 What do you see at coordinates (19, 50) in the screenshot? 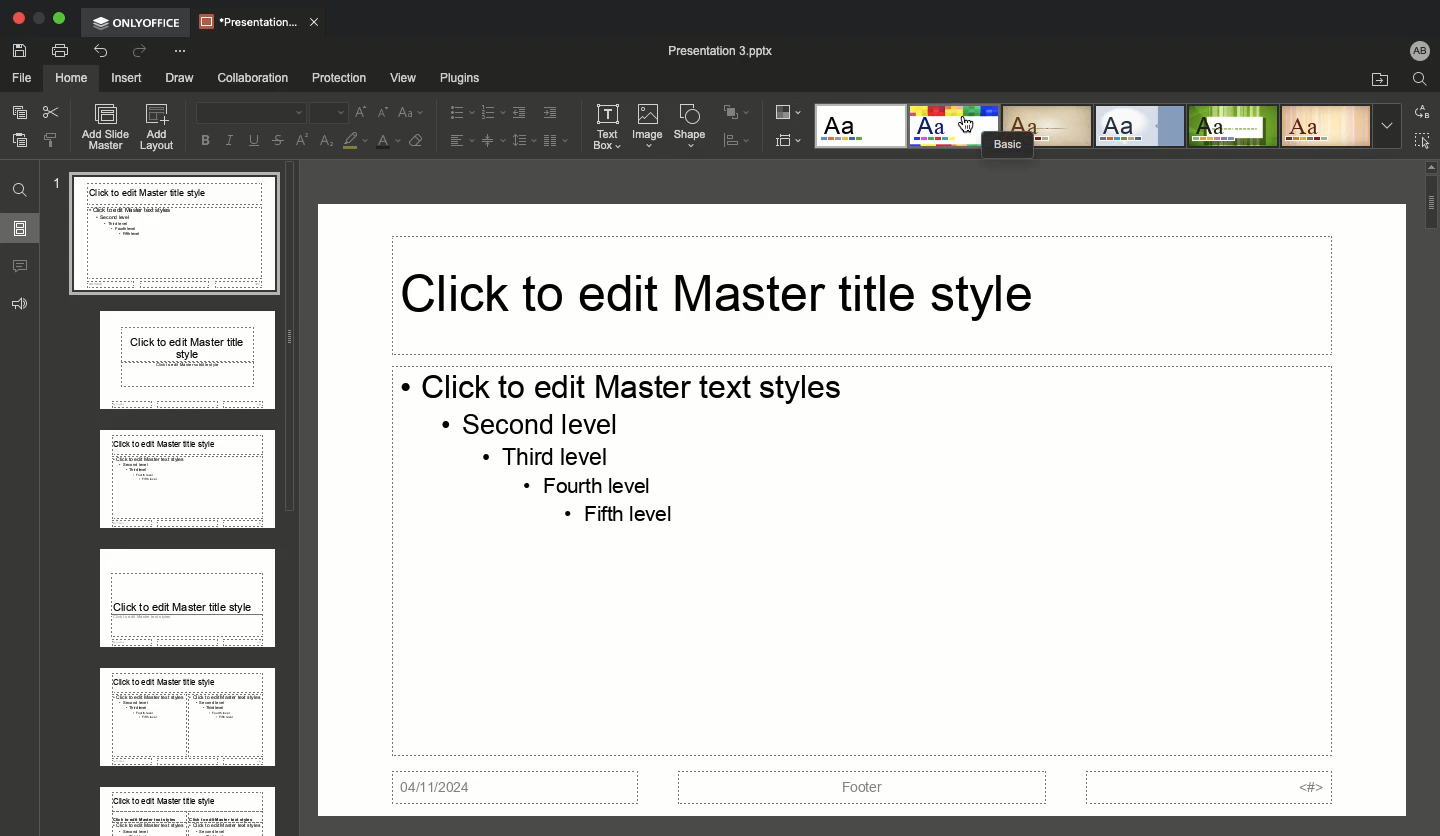
I see `Save` at bounding box center [19, 50].